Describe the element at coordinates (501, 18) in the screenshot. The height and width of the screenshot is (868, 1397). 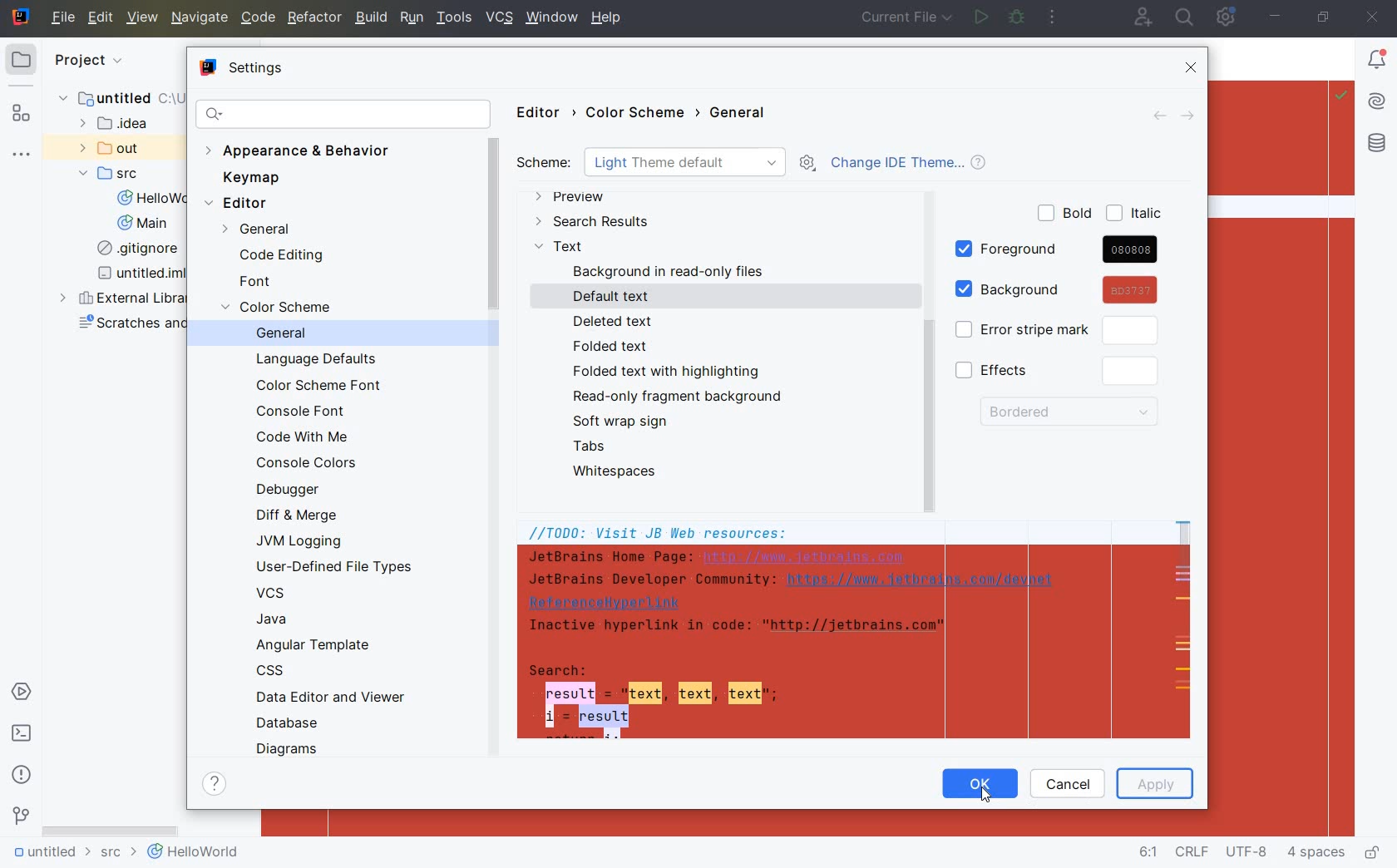
I see `VCS` at that location.